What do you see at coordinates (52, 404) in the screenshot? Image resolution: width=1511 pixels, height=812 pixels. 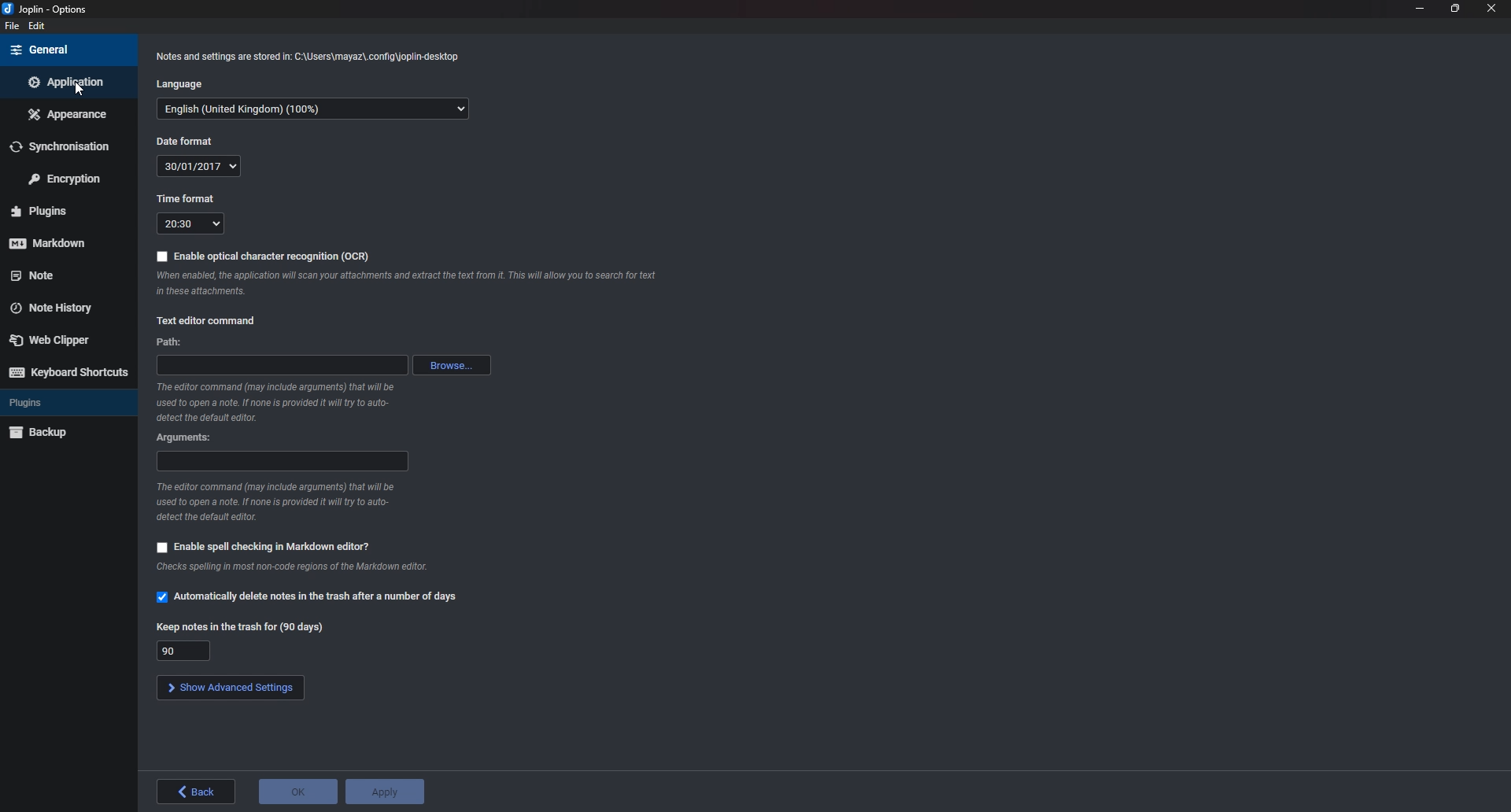 I see `Plugins` at bounding box center [52, 404].